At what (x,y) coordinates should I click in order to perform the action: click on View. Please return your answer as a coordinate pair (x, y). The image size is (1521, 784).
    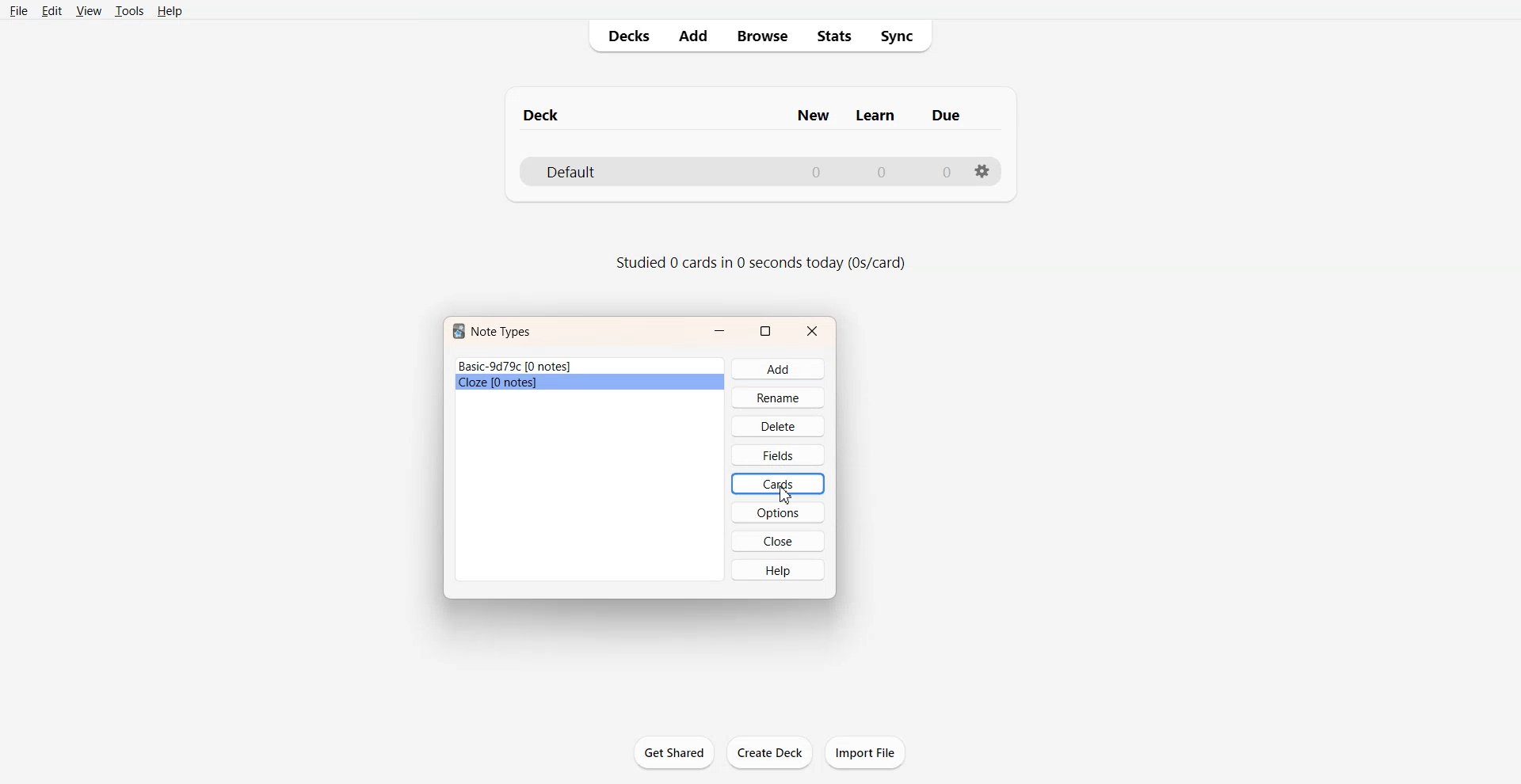
    Looking at the image, I should click on (88, 10).